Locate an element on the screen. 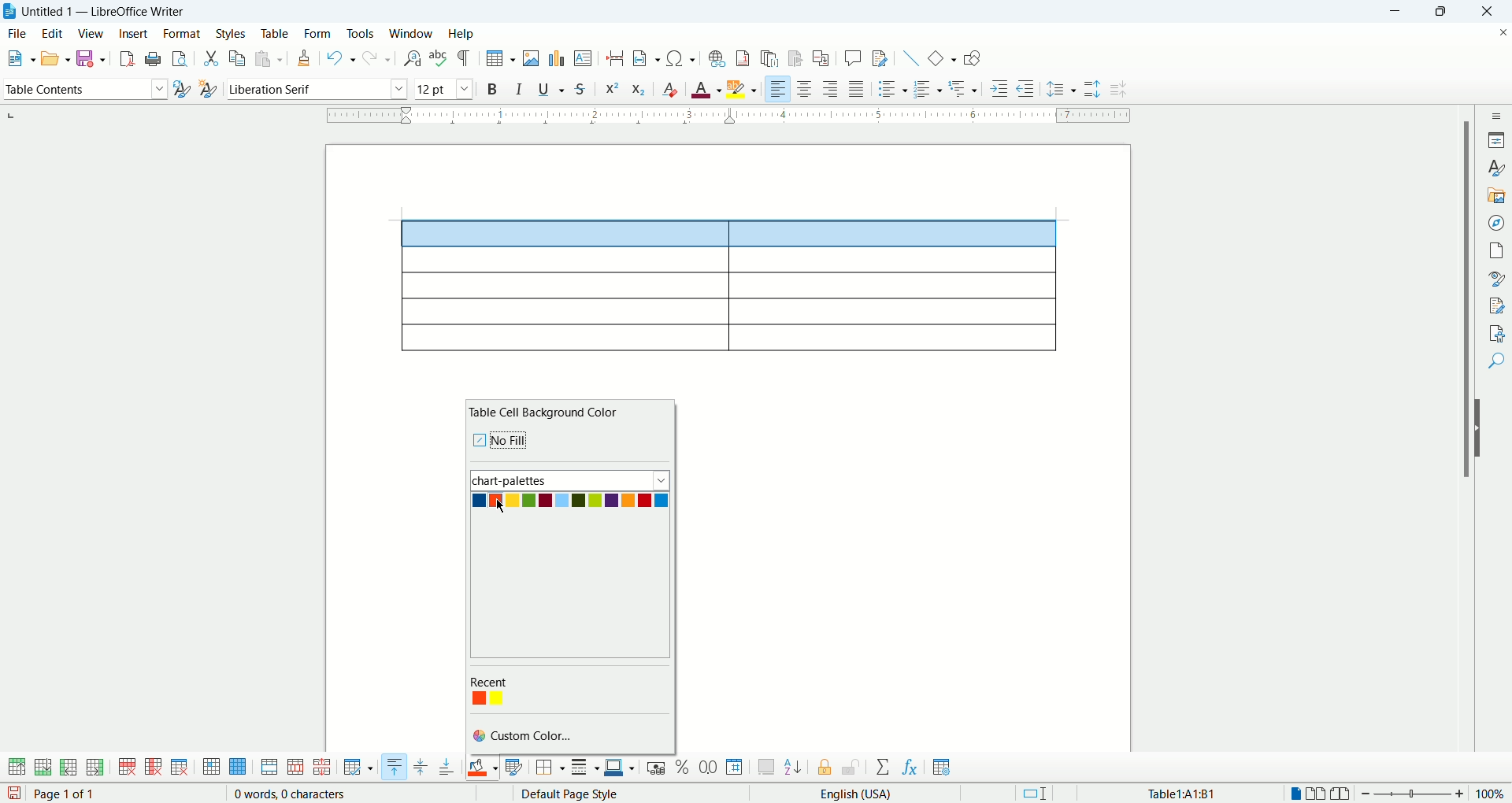  align bottom is located at coordinates (448, 767).